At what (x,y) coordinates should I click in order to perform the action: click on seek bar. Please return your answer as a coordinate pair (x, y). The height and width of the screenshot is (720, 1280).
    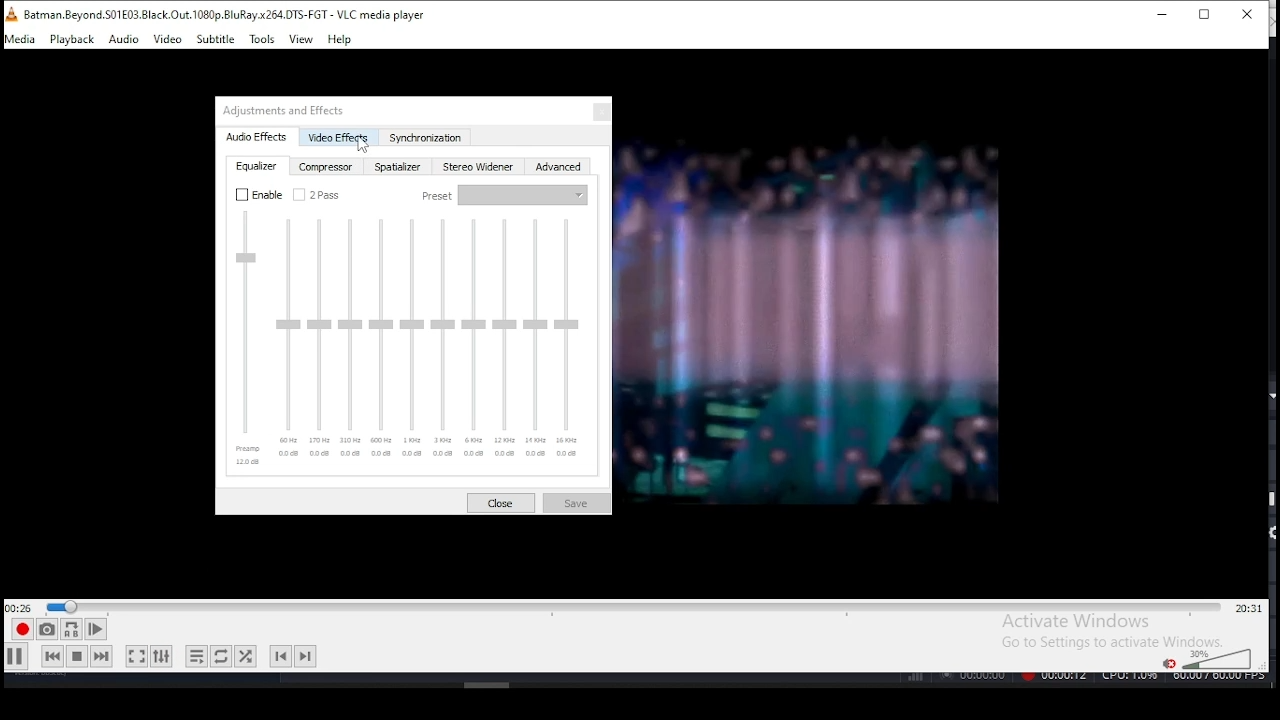
    Looking at the image, I should click on (633, 605).